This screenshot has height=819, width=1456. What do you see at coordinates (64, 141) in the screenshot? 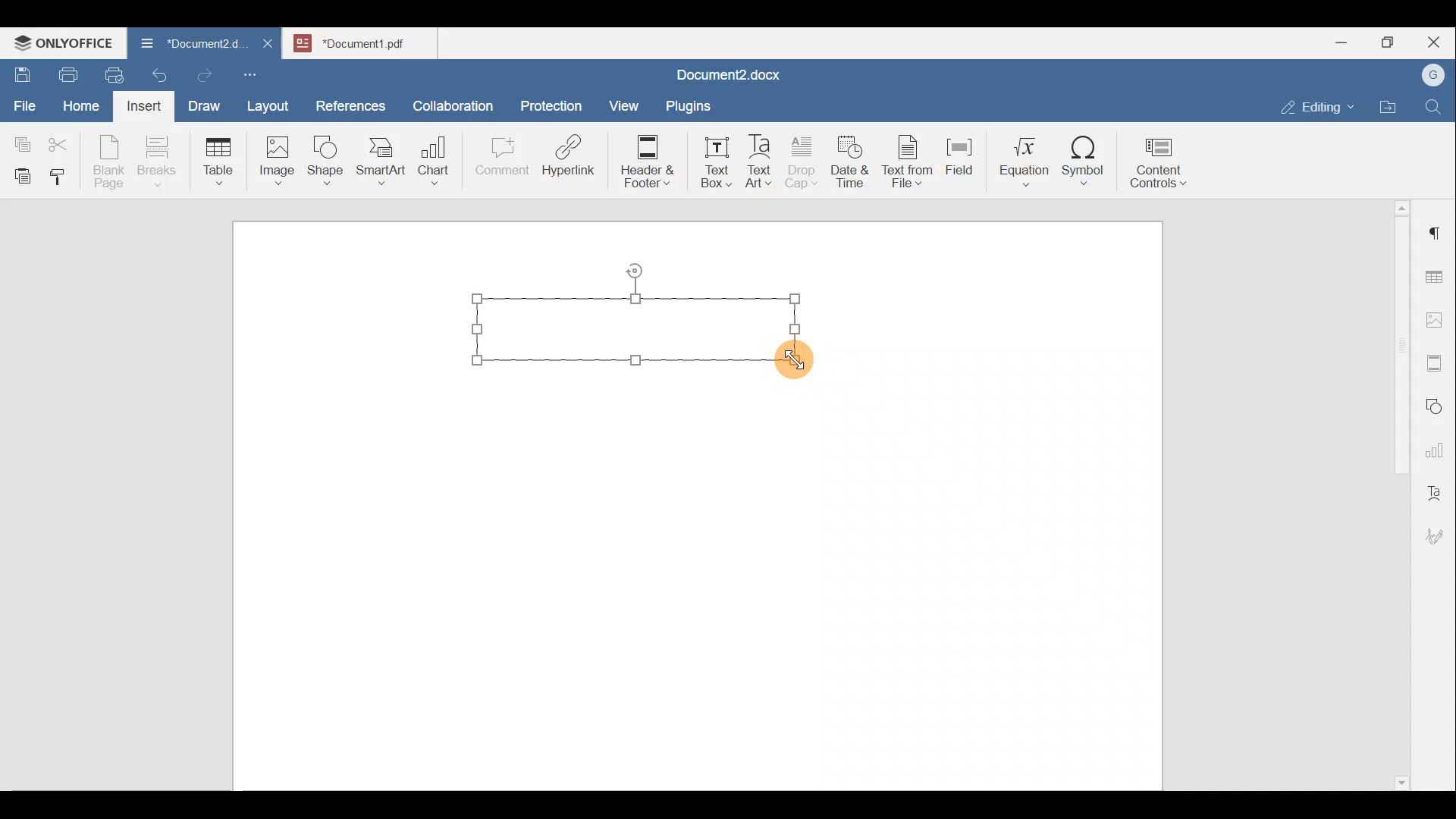
I see `Cut` at bounding box center [64, 141].